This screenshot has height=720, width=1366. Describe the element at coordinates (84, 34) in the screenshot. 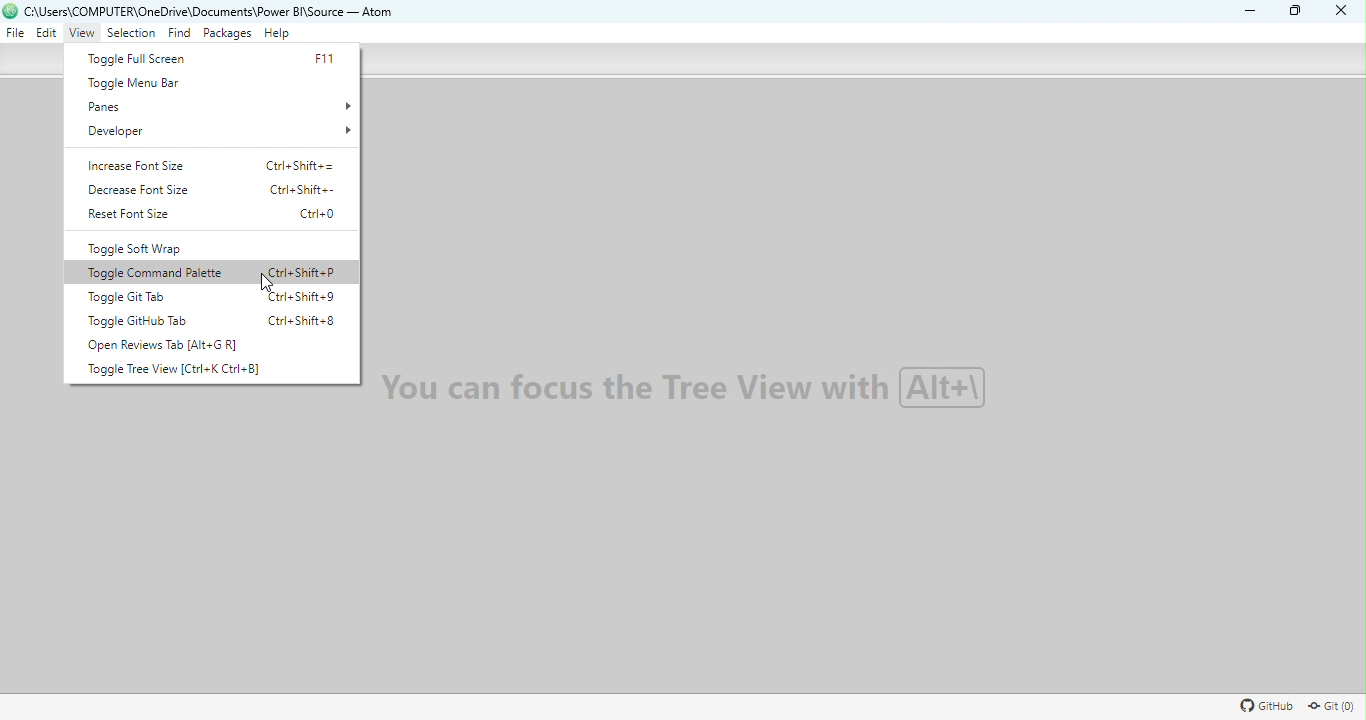

I see `View` at that location.